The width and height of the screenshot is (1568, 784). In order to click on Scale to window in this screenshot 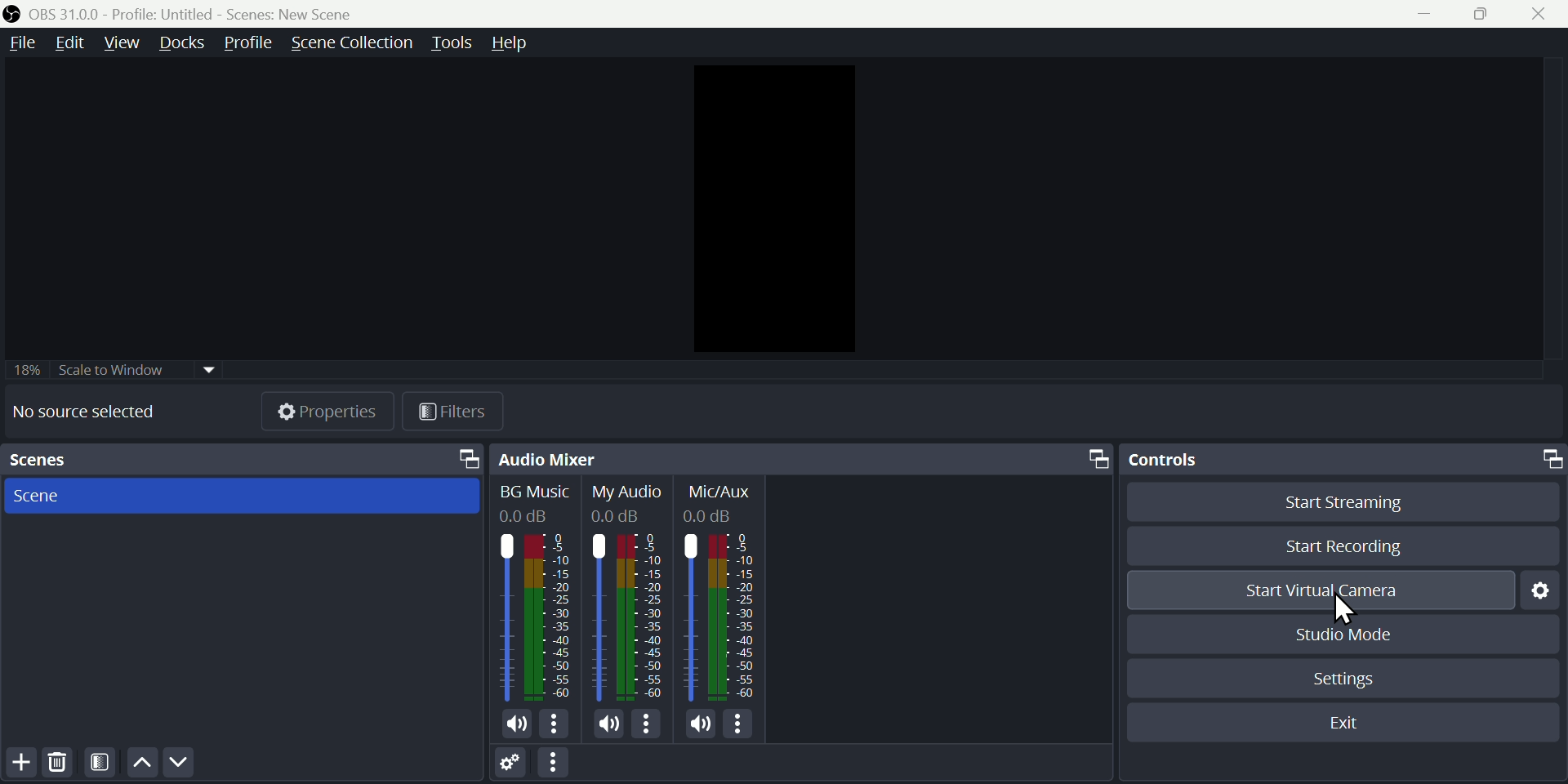, I will do `click(122, 367)`.